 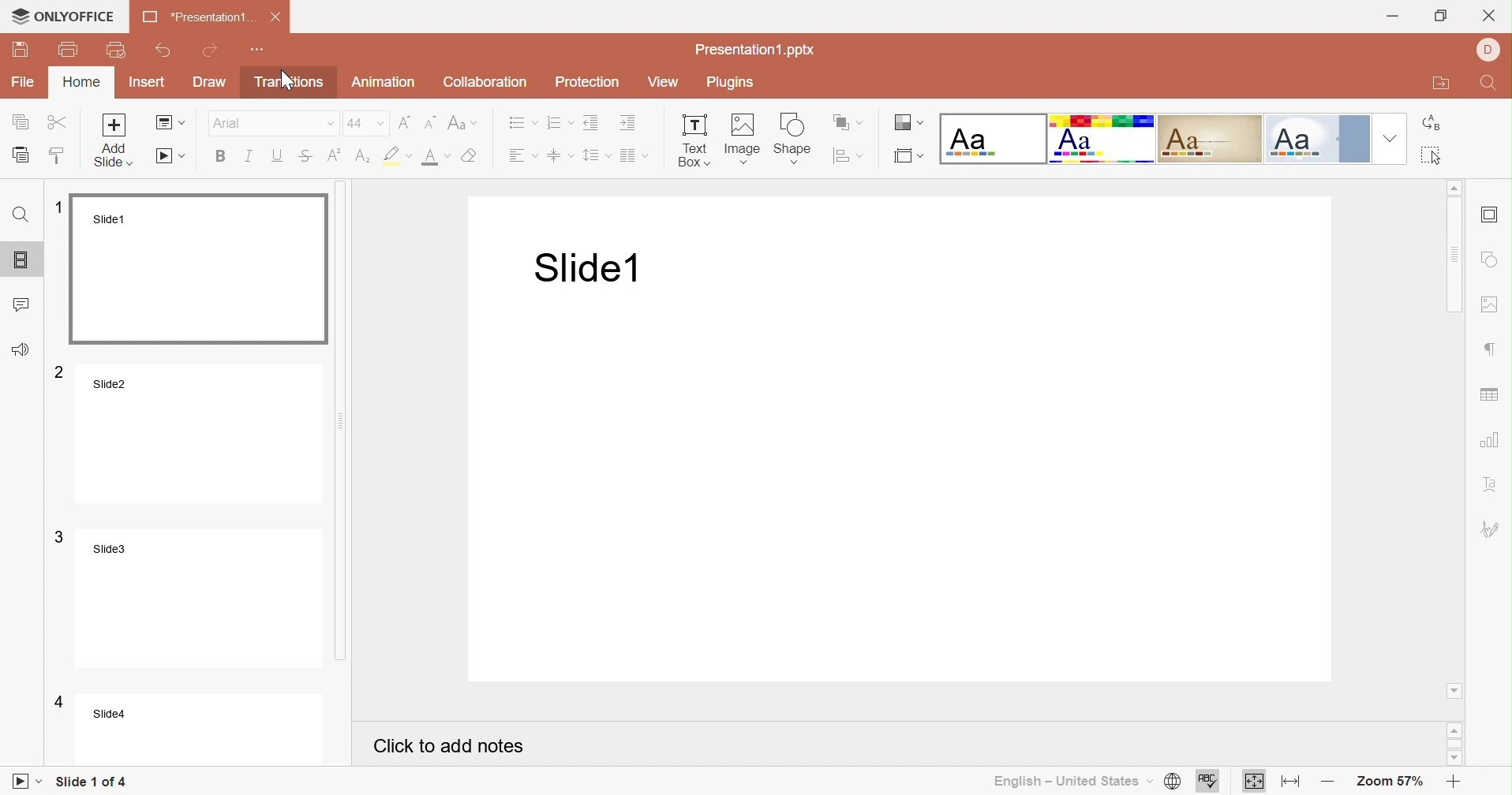 What do you see at coordinates (588, 84) in the screenshot?
I see `Protection` at bounding box center [588, 84].